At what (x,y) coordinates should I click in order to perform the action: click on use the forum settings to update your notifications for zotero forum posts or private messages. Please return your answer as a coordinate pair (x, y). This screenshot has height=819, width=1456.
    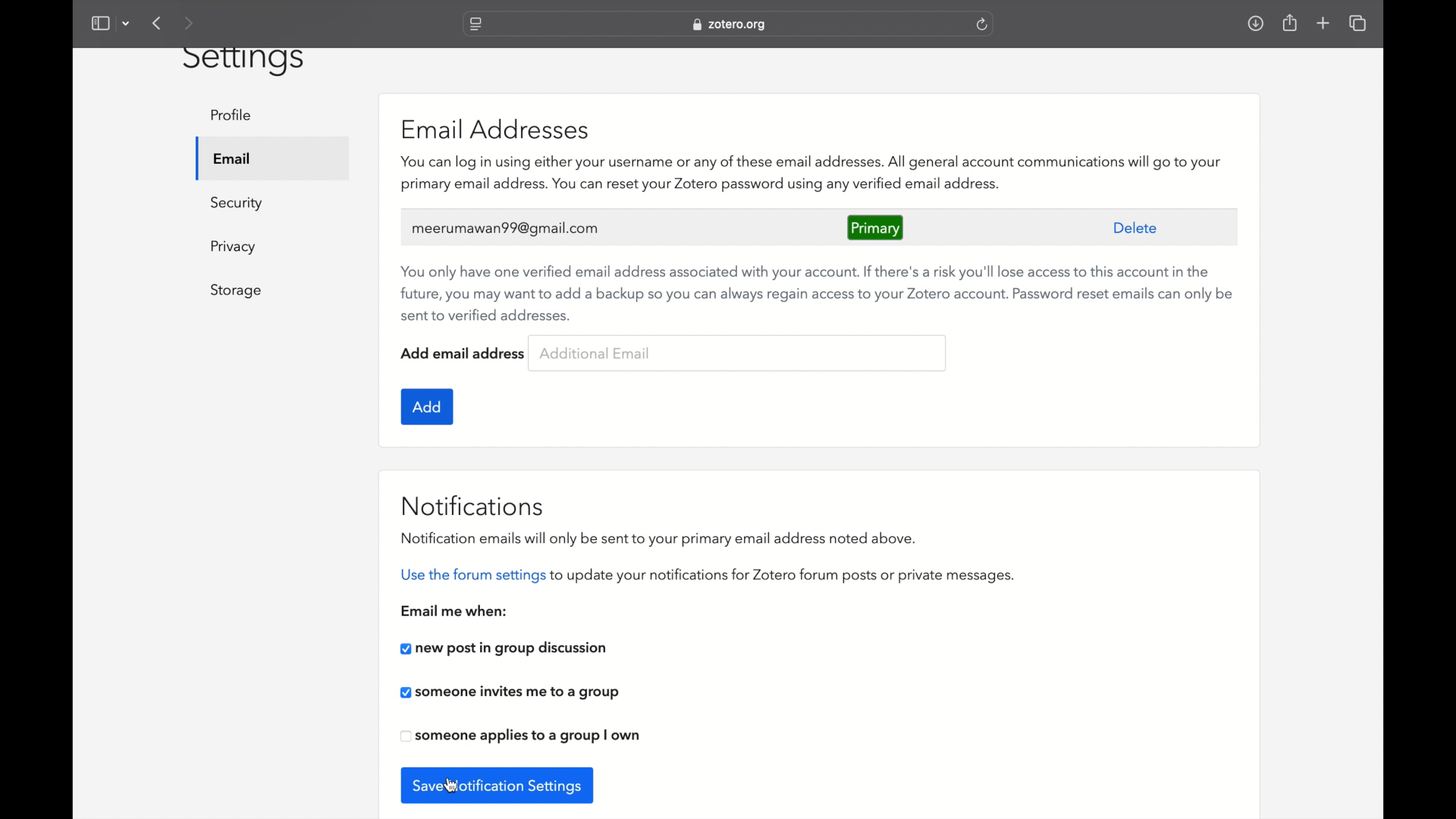
    Looking at the image, I should click on (704, 575).